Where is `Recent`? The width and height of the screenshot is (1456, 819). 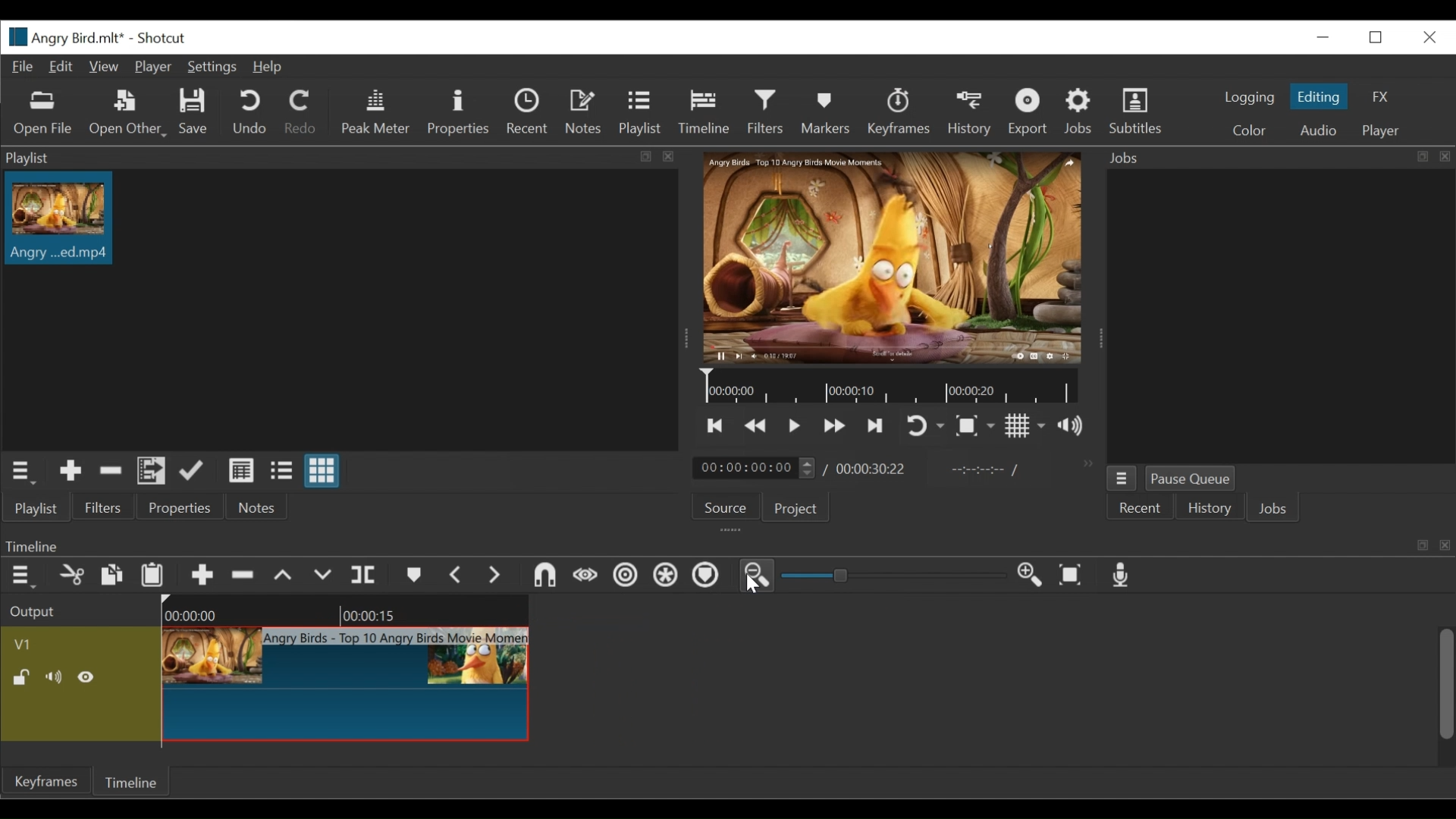 Recent is located at coordinates (526, 113).